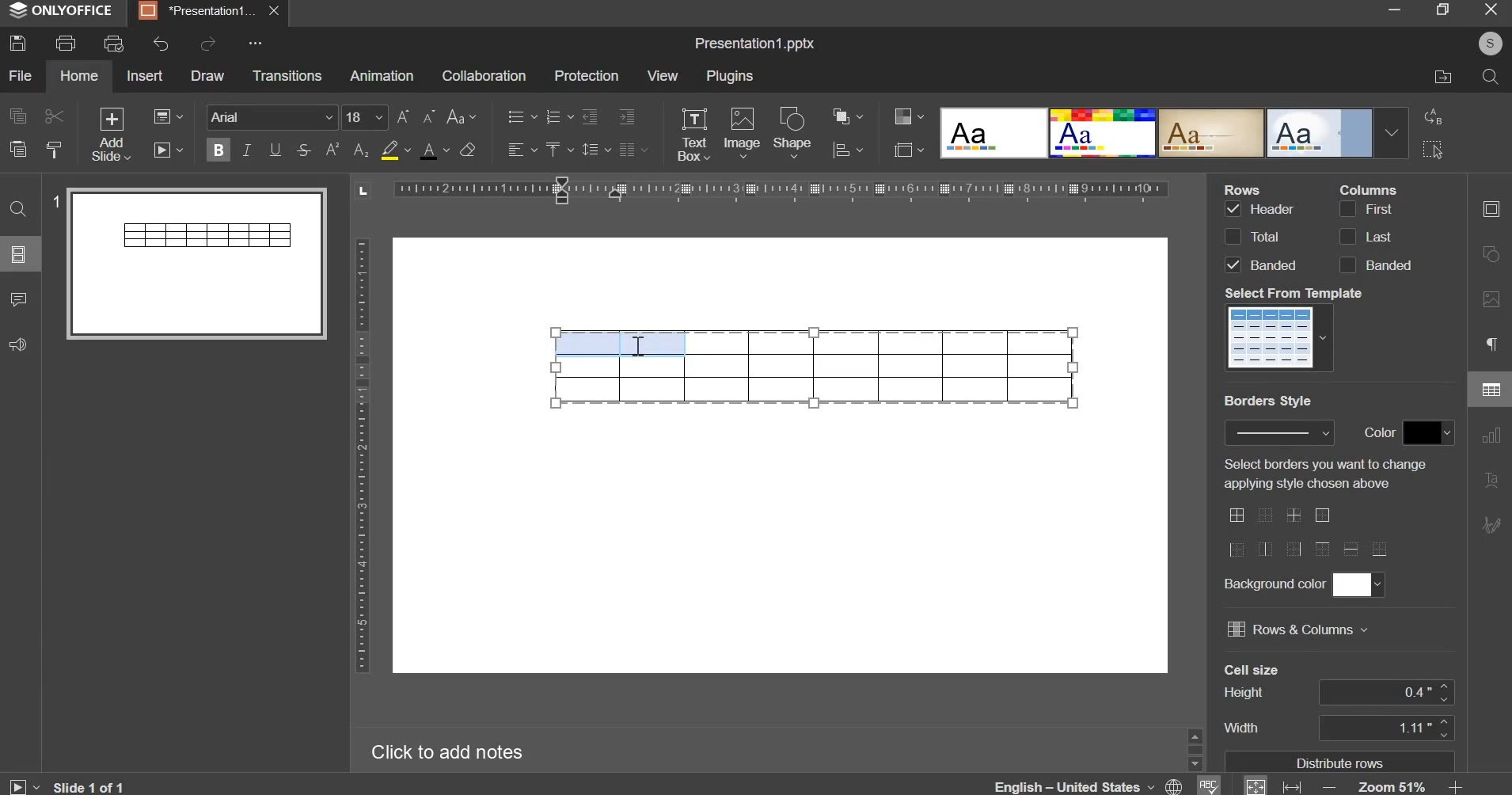 The height and width of the screenshot is (795, 1512). What do you see at coordinates (53, 117) in the screenshot?
I see `cut` at bounding box center [53, 117].